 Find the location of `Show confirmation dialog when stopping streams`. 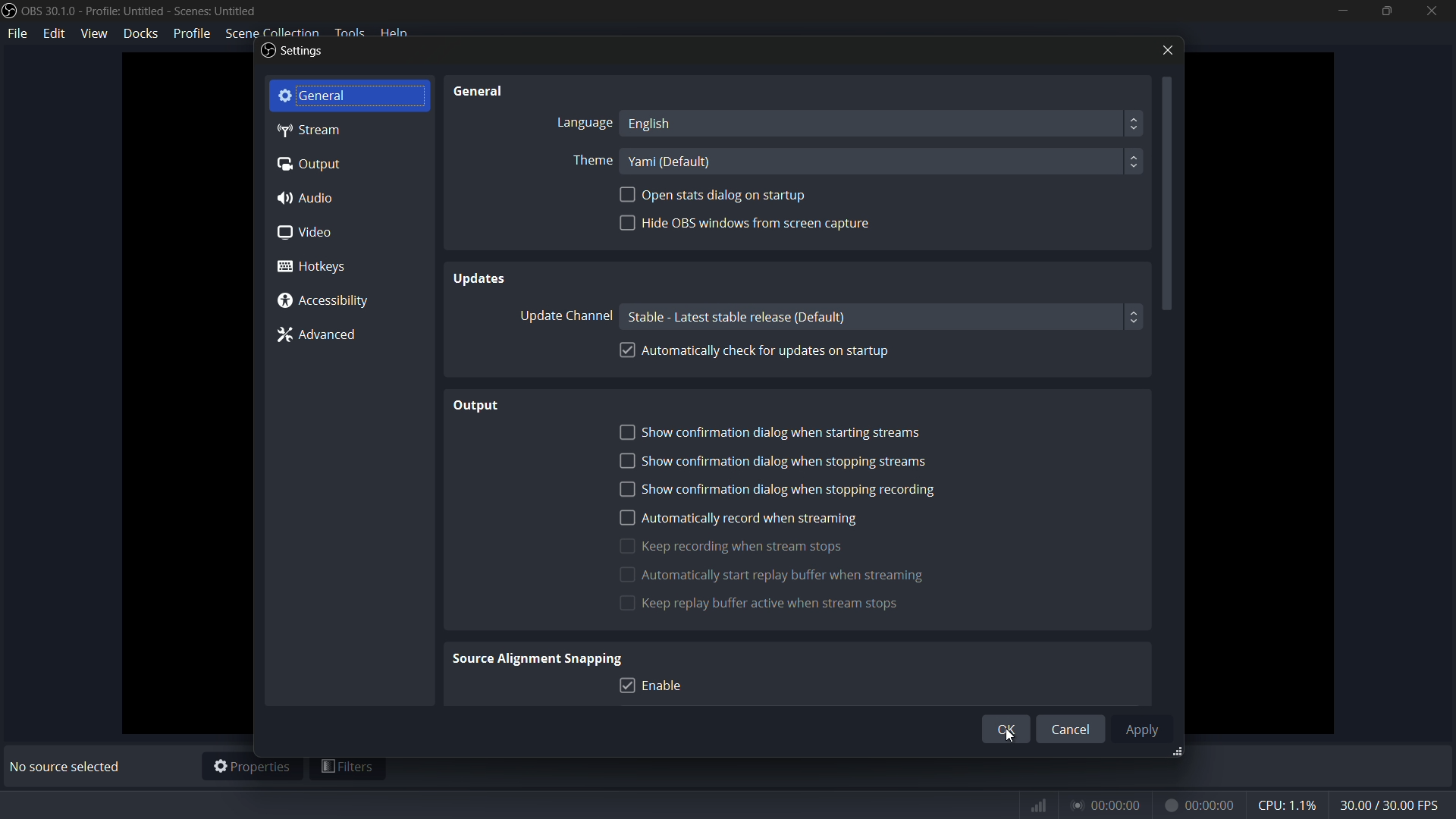

Show confirmation dialog when stopping streams is located at coordinates (779, 460).